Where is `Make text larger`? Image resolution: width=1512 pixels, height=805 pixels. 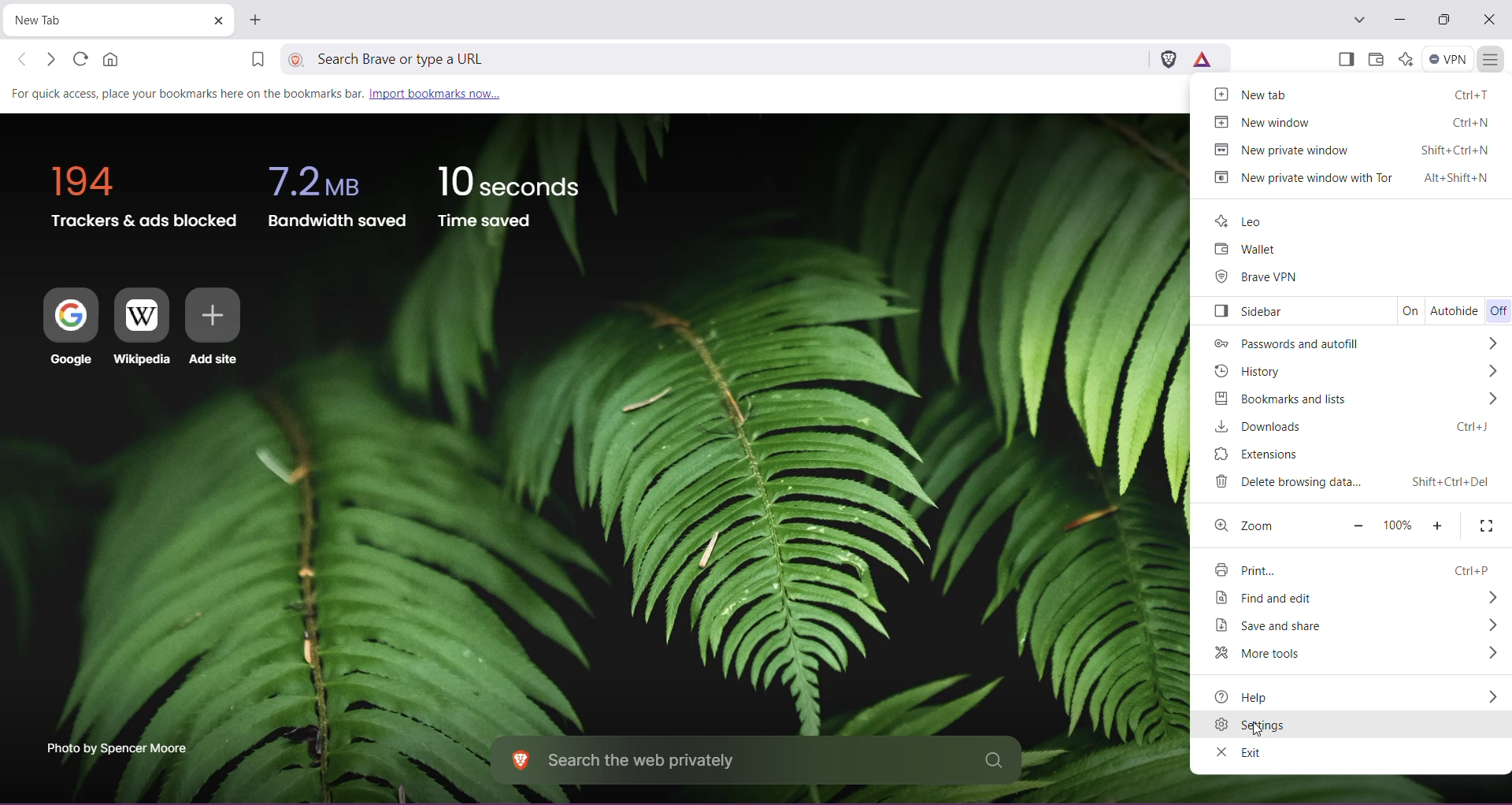
Make text larger is located at coordinates (1437, 526).